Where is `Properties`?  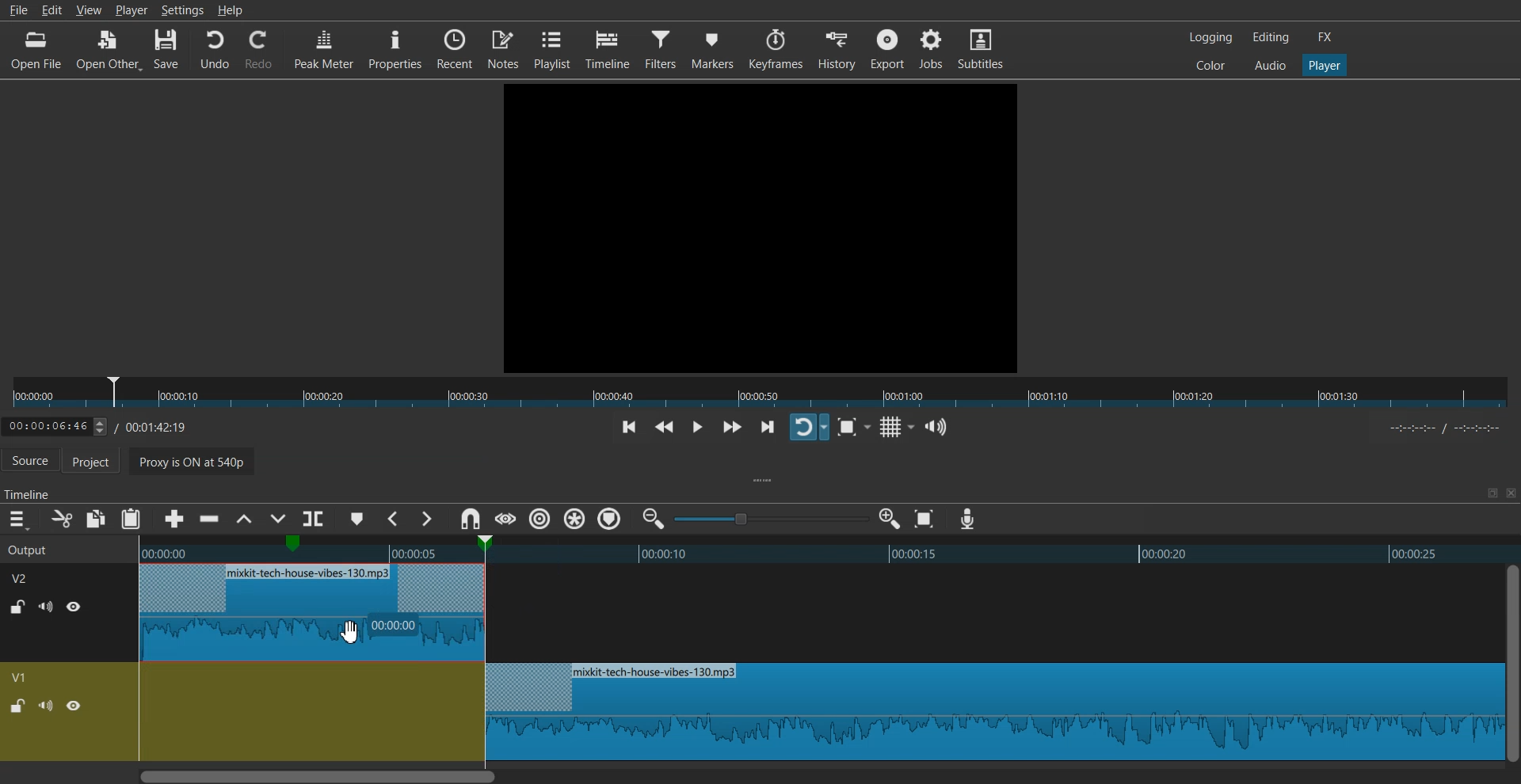 Properties is located at coordinates (395, 48).